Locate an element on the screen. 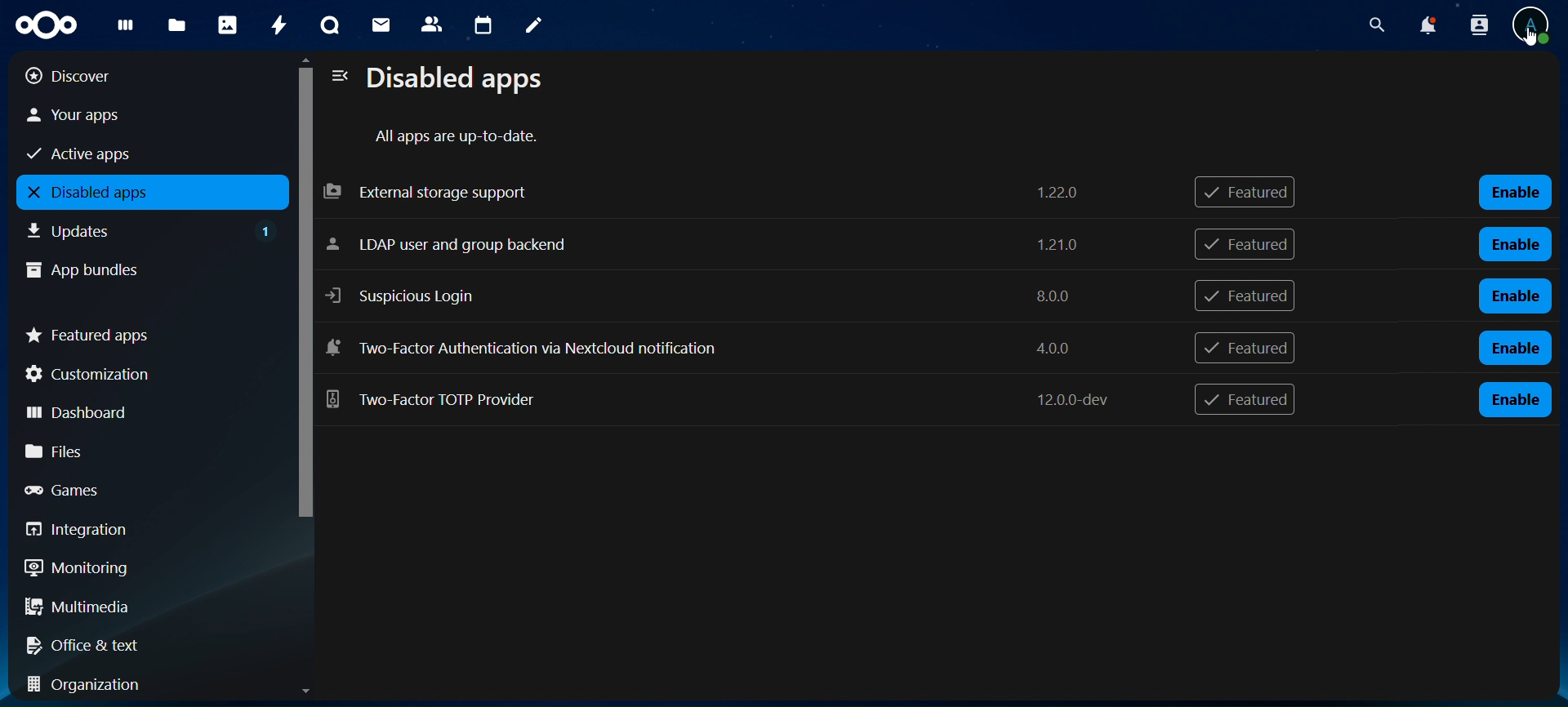 The image size is (1568, 707). enable is located at coordinates (1517, 242).